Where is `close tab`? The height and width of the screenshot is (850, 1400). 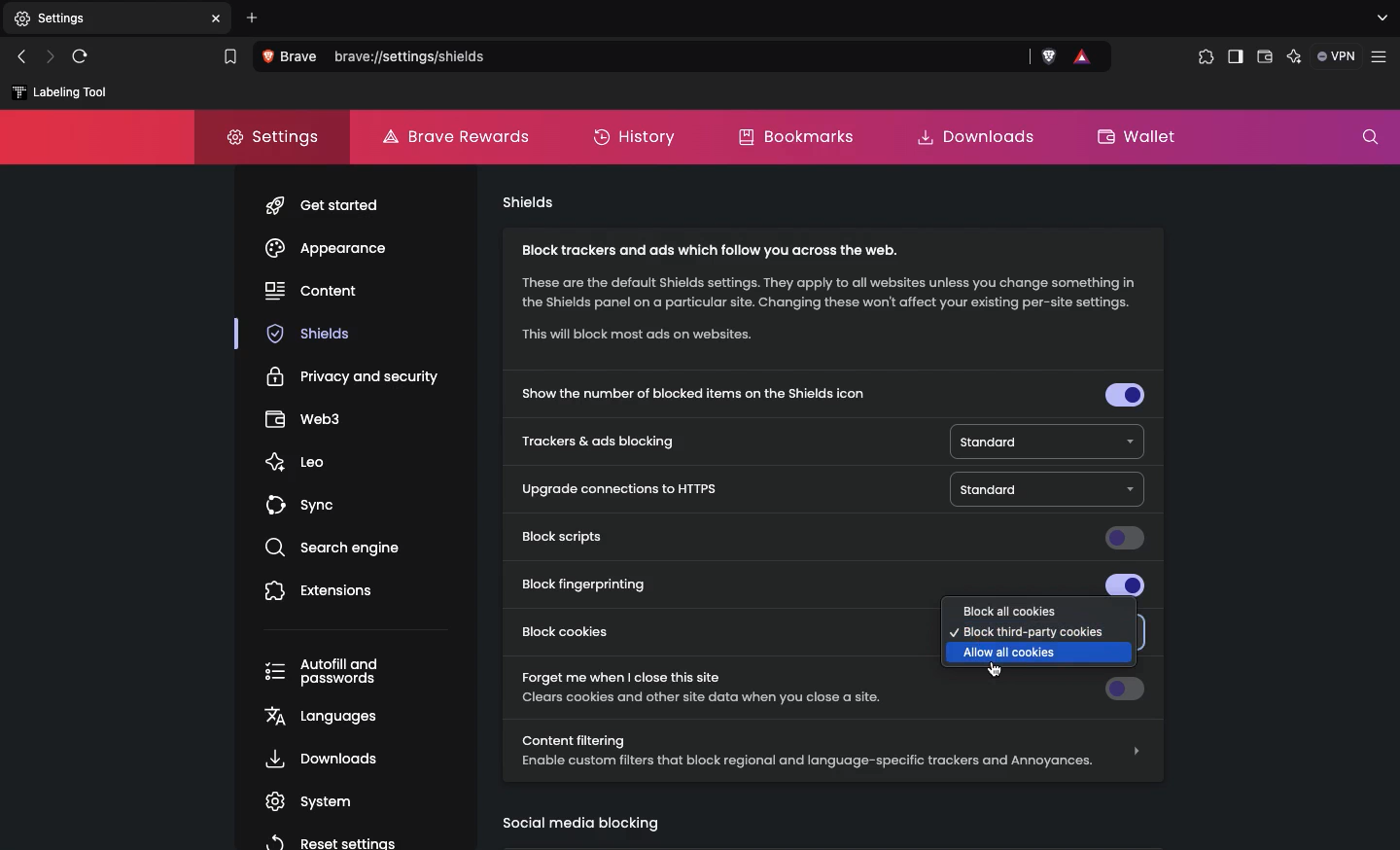
close tab is located at coordinates (218, 18).